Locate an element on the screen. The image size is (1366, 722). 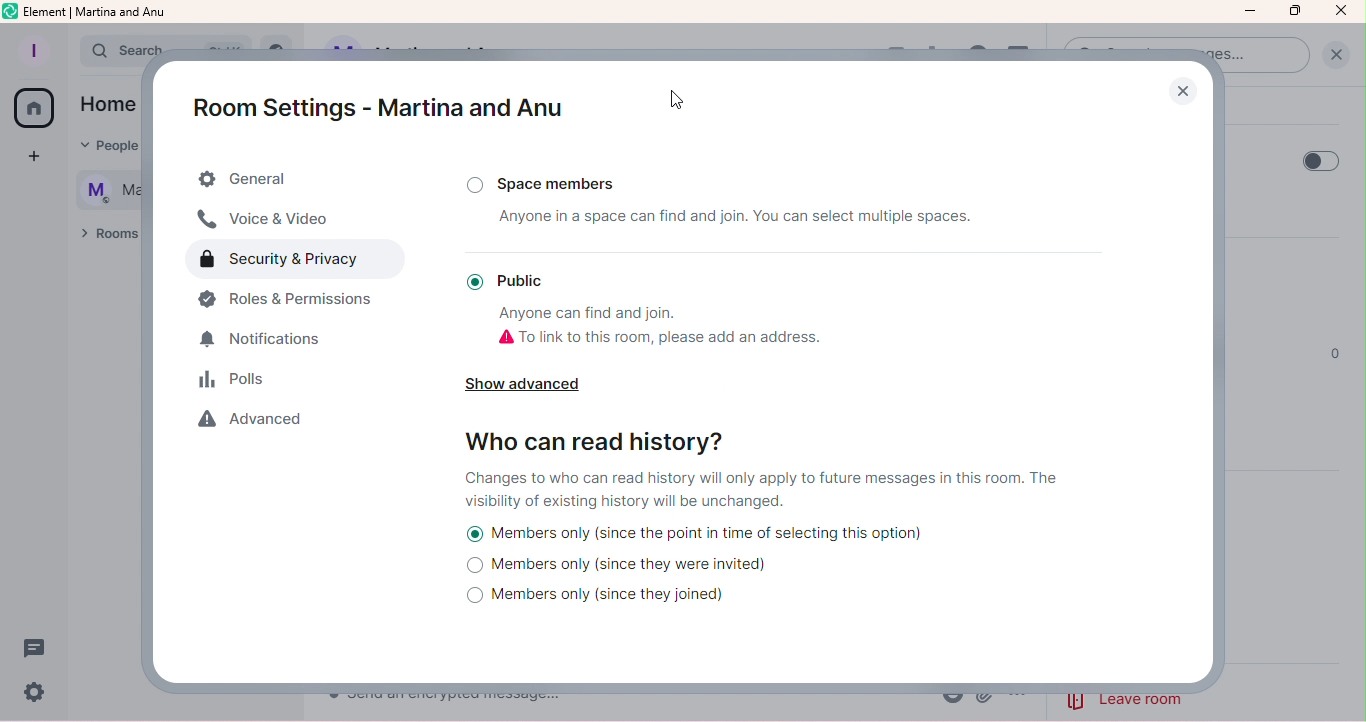
Polls is located at coordinates (243, 381).